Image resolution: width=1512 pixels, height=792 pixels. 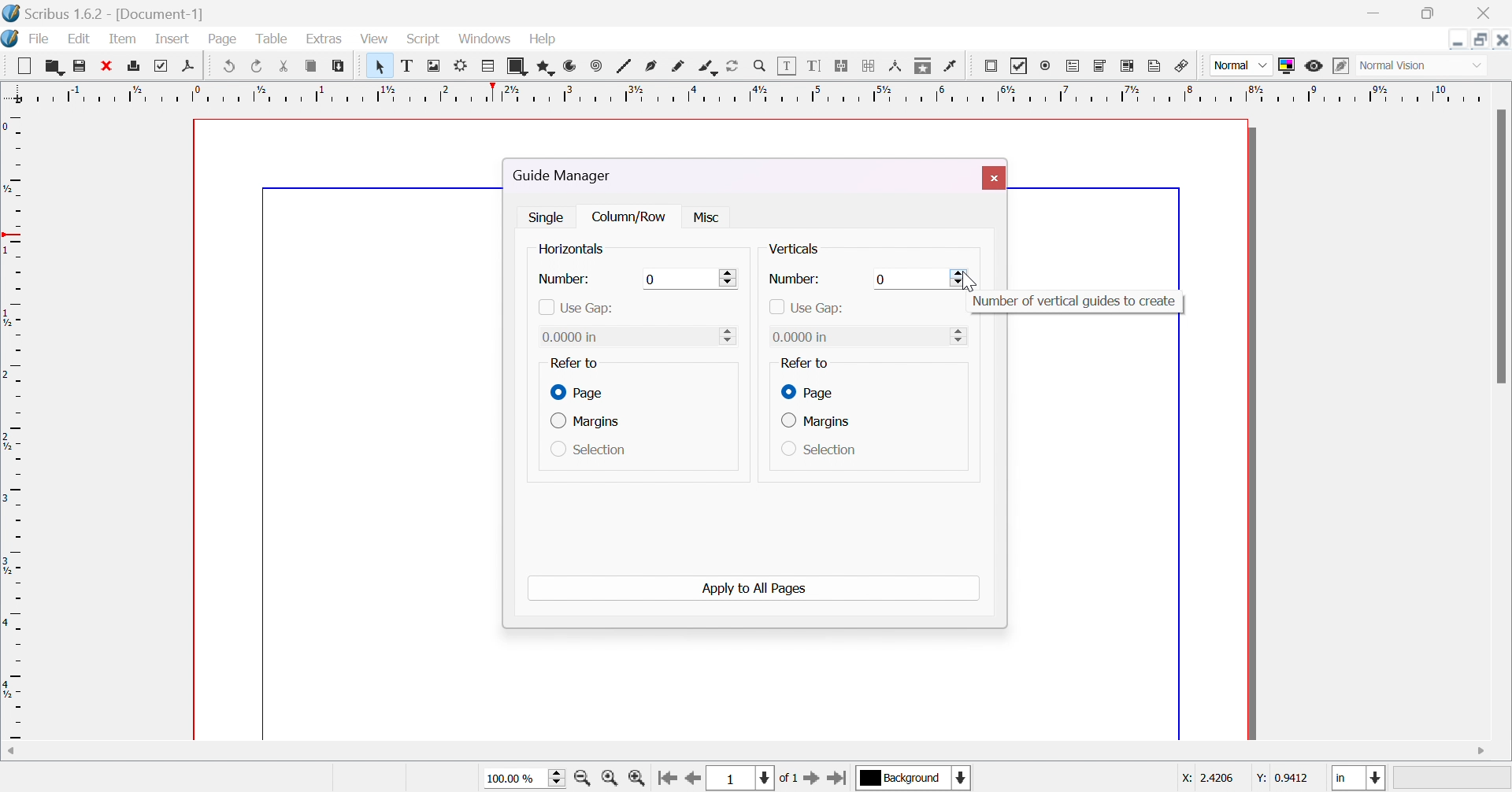 I want to click on , so click(x=728, y=335).